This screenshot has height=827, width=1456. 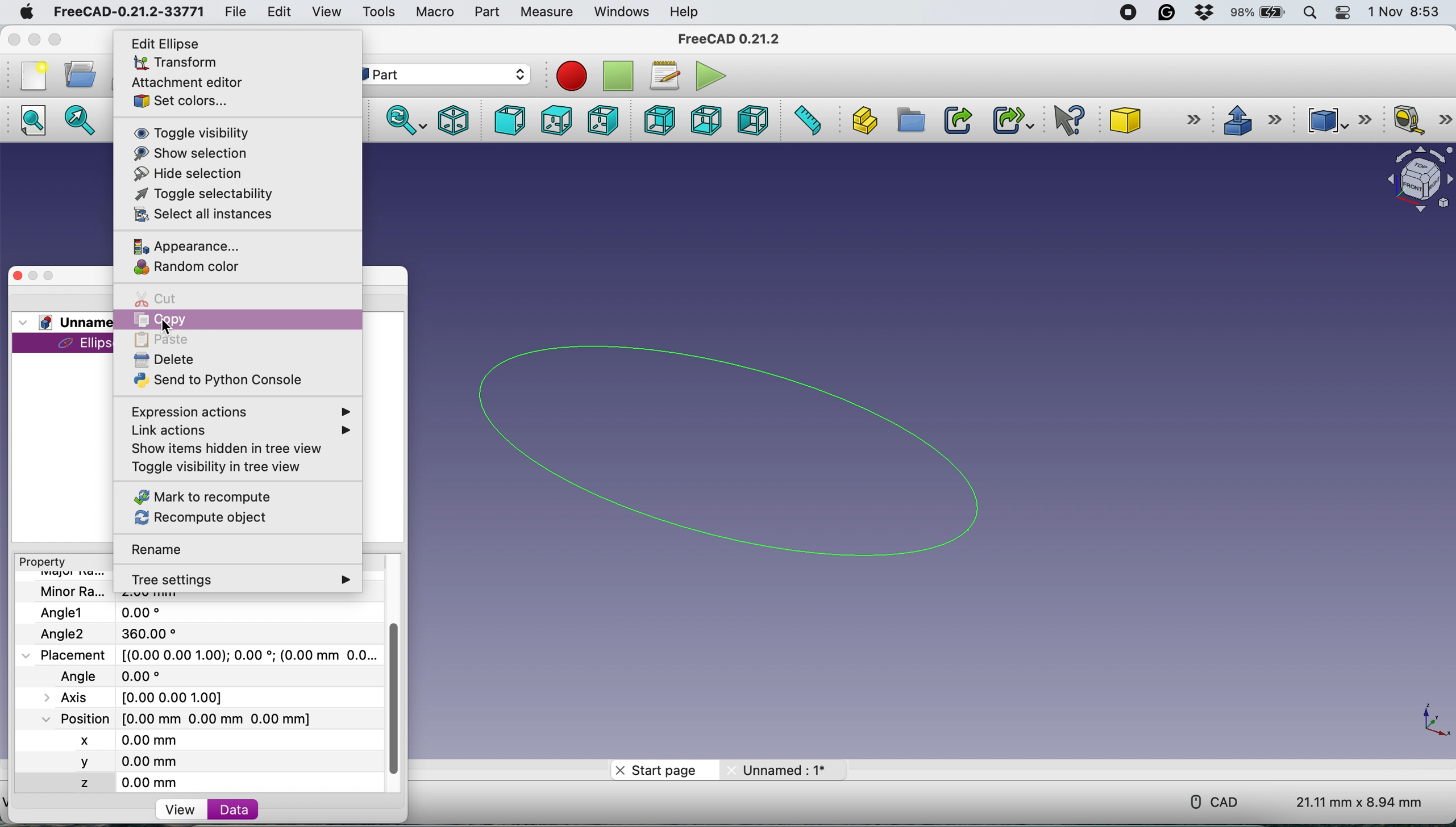 I want to click on compound tools, so click(x=1336, y=120).